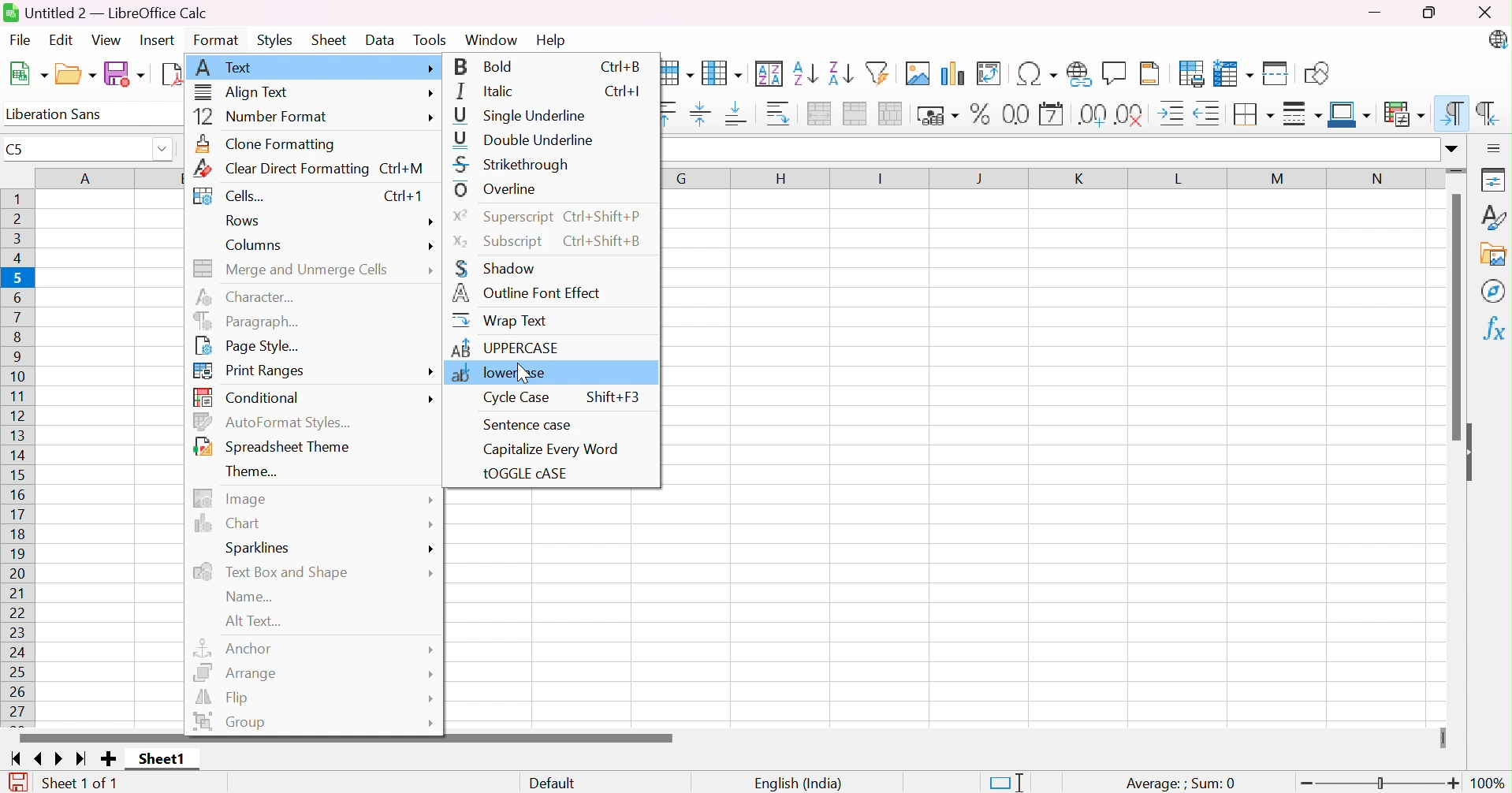 This screenshot has width=1512, height=793. Describe the element at coordinates (125, 74) in the screenshot. I see `Save` at that location.